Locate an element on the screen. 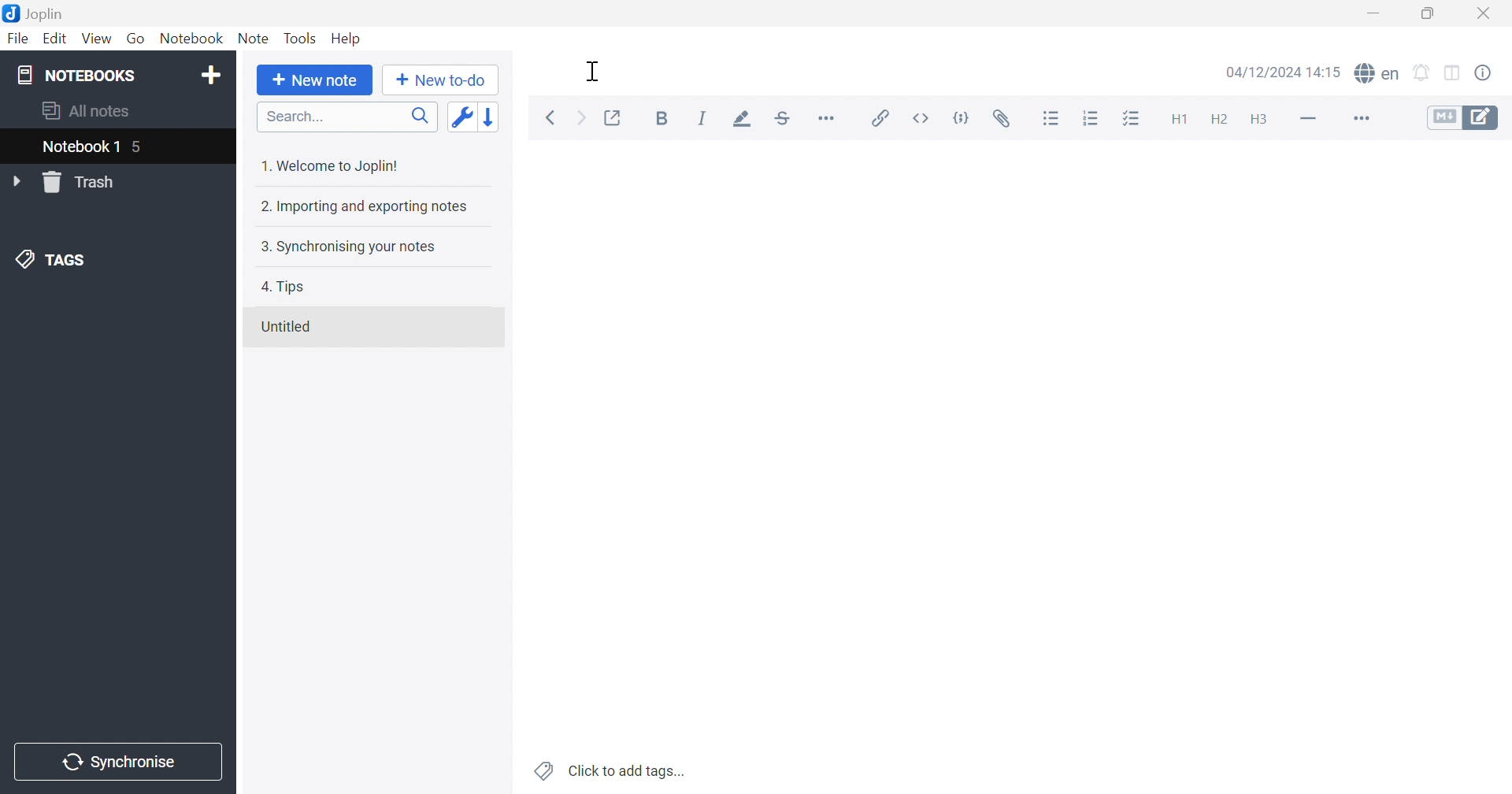 This screenshot has width=1512, height=794. Italic is located at coordinates (702, 118).